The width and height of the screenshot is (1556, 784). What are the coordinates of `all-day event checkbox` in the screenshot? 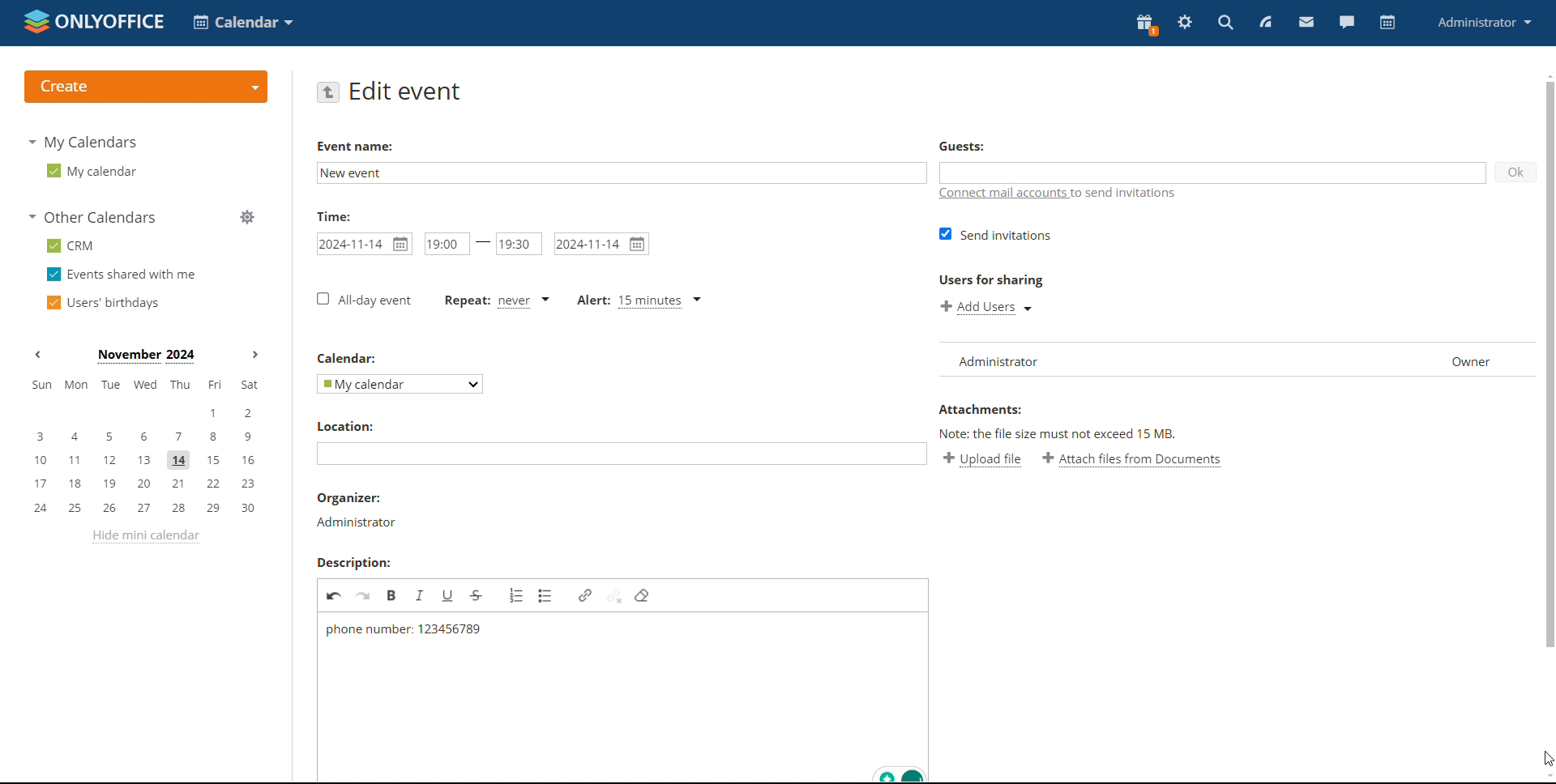 It's located at (363, 300).